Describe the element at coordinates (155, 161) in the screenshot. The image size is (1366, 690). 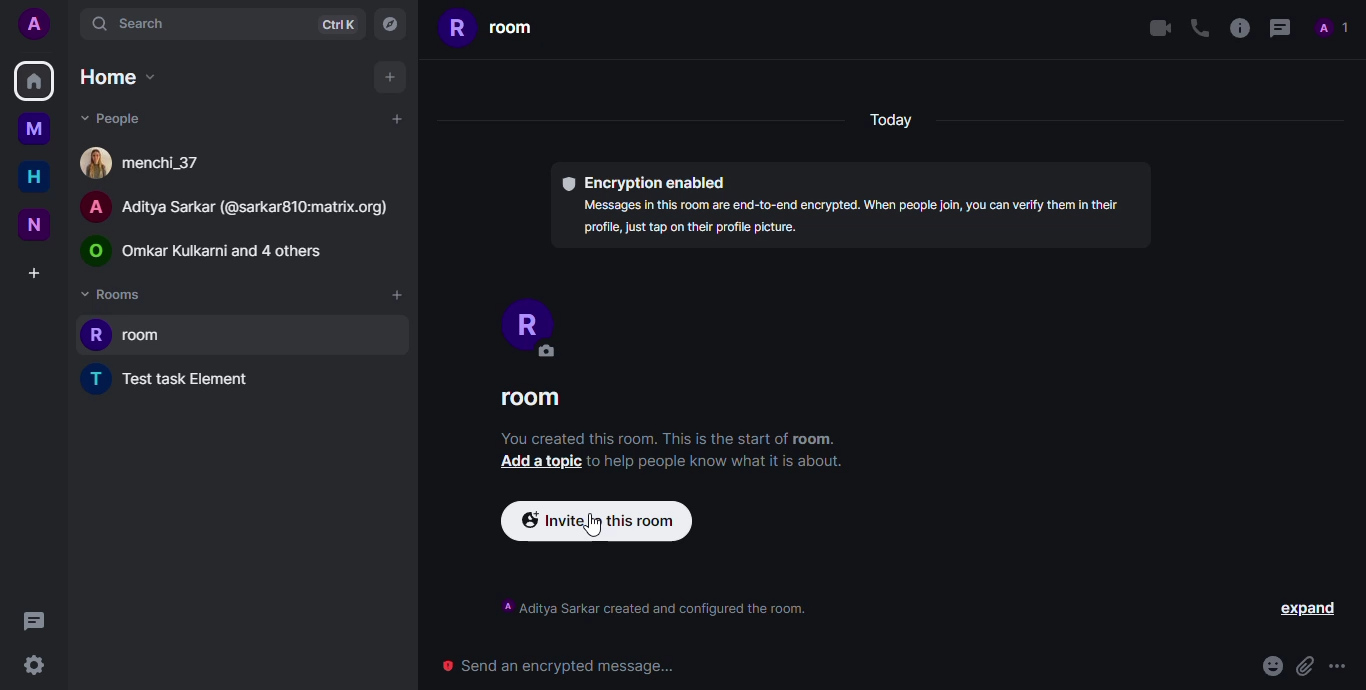
I see `menchi_37` at that location.